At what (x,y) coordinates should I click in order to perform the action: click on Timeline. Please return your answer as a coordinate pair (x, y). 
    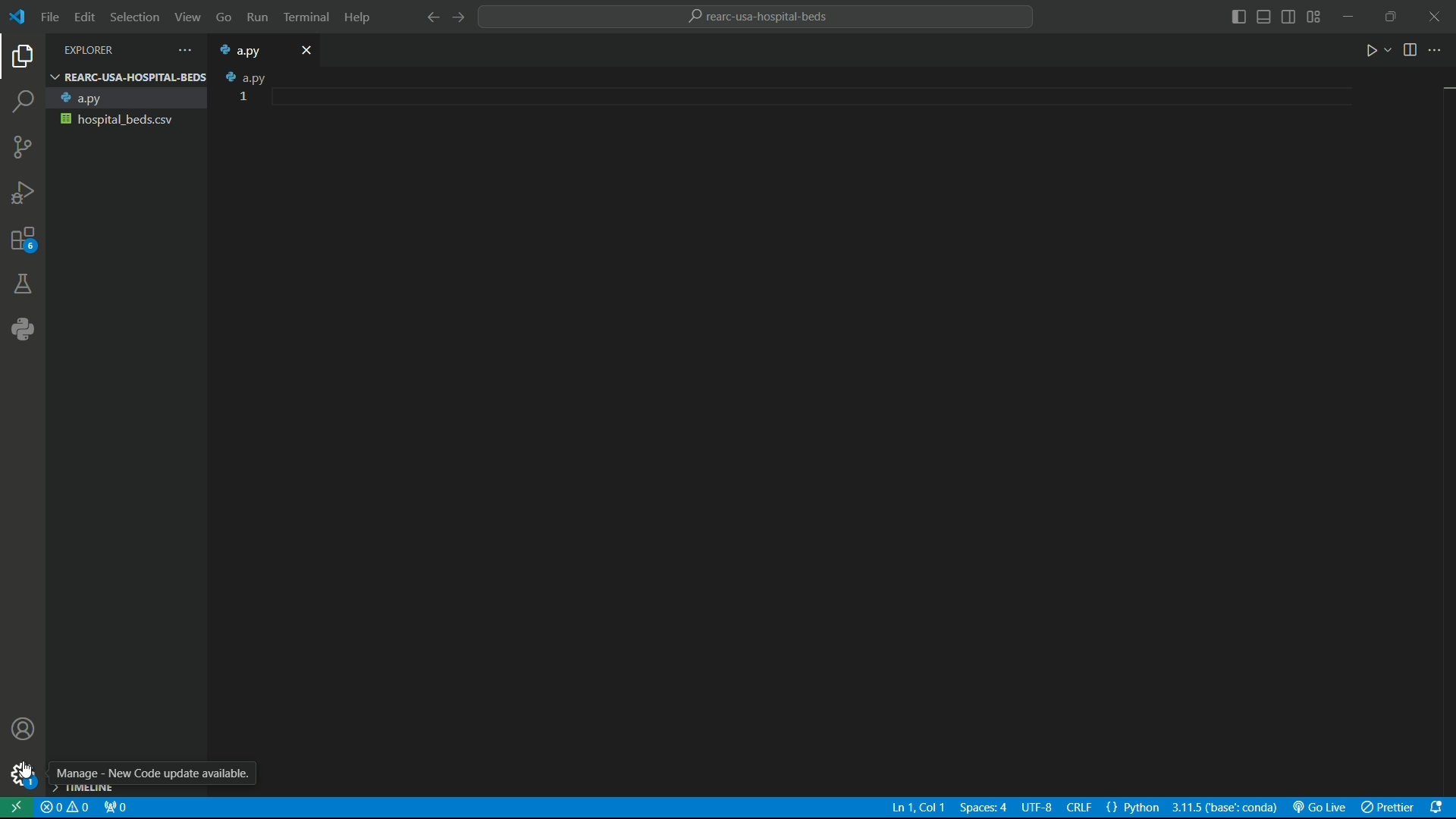
    Looking at the image, I should click on (90, 789).